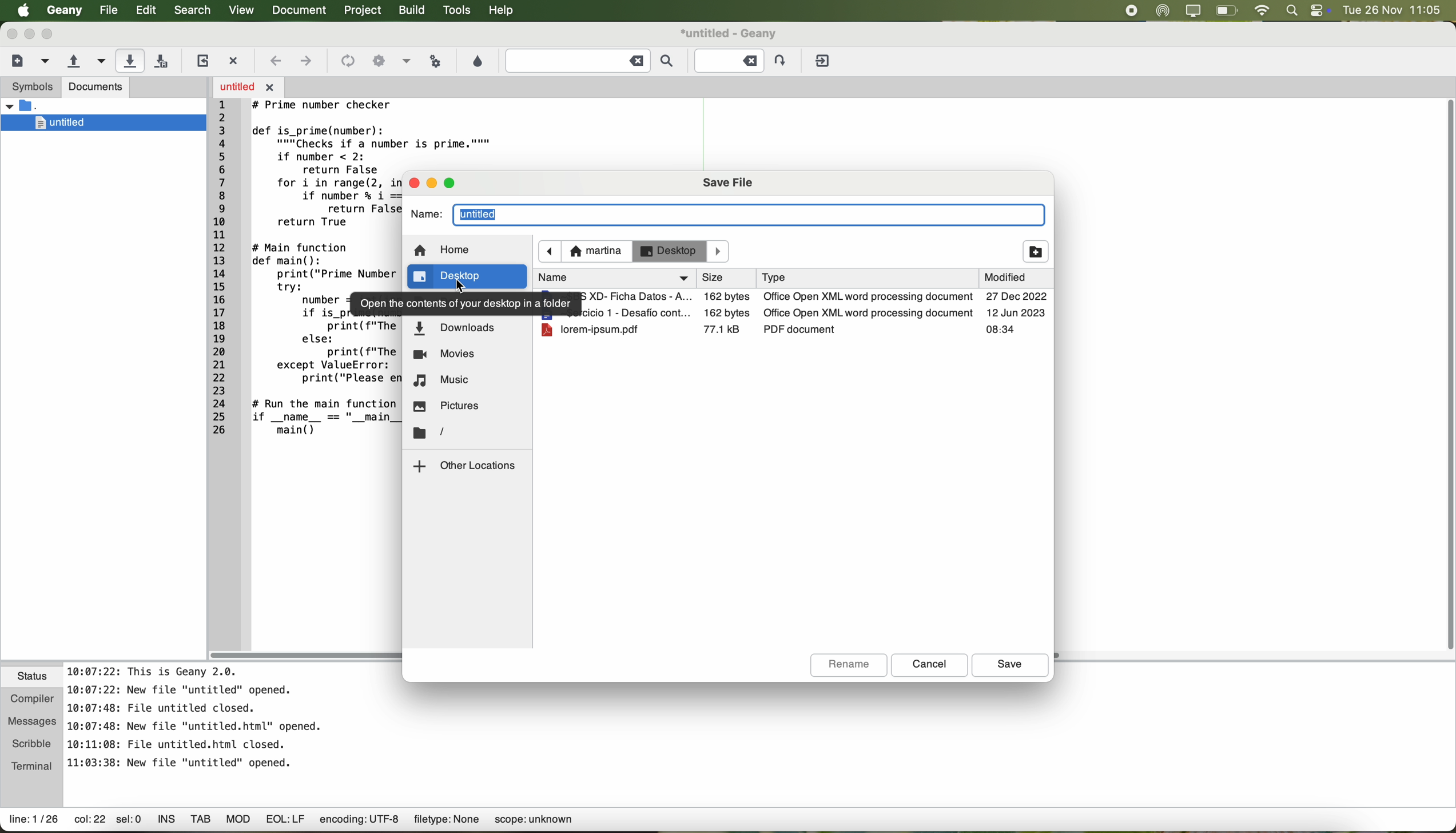 The width and height of the screenshot is (1456, 833). What do you see at coordinates (164, 60) in the screenshot?
I see `save all open files` at bounding box center [164, 60].